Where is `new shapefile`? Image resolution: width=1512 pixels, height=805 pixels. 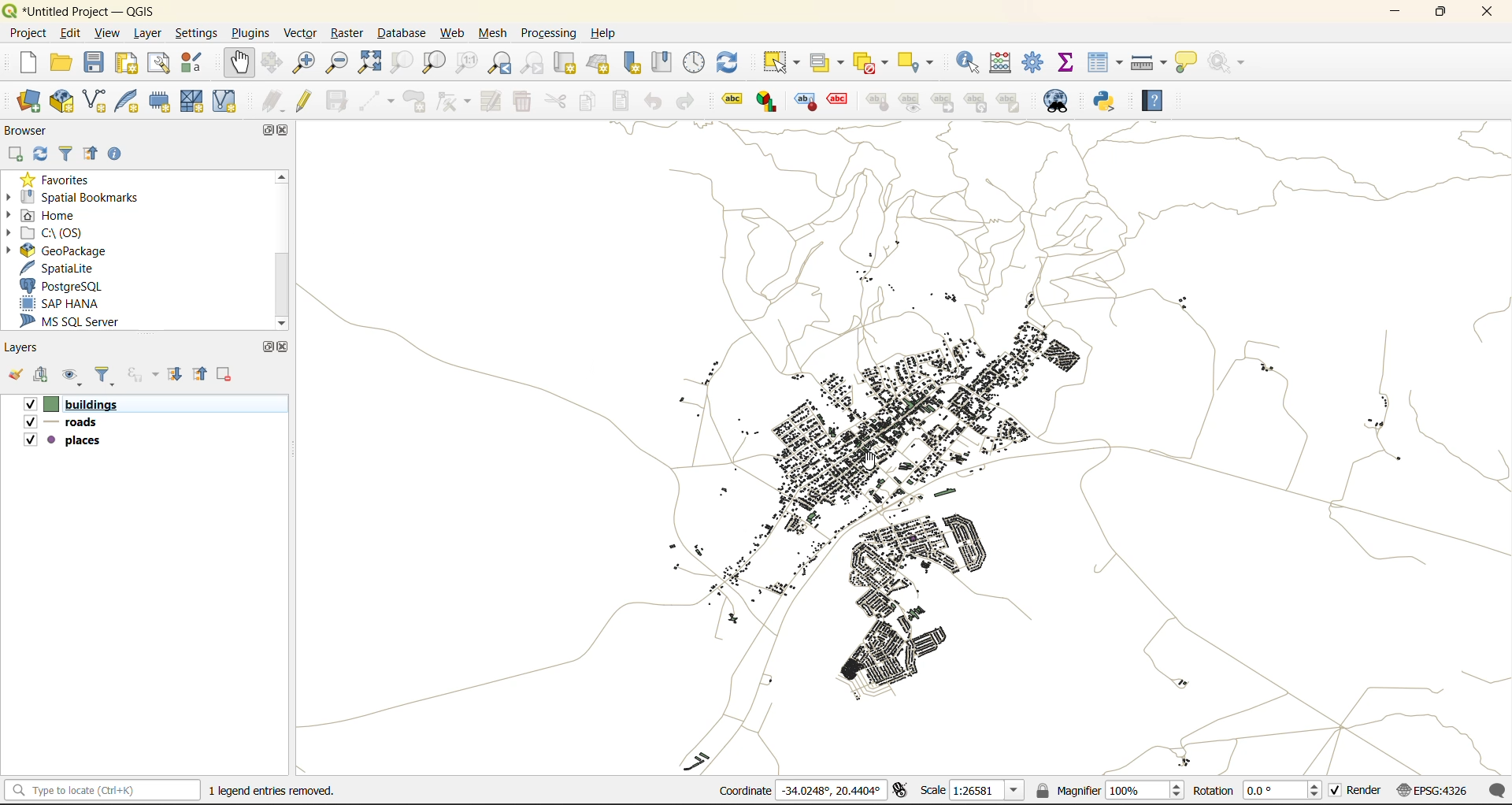
new shapefile is located at coordinates (98, 100).